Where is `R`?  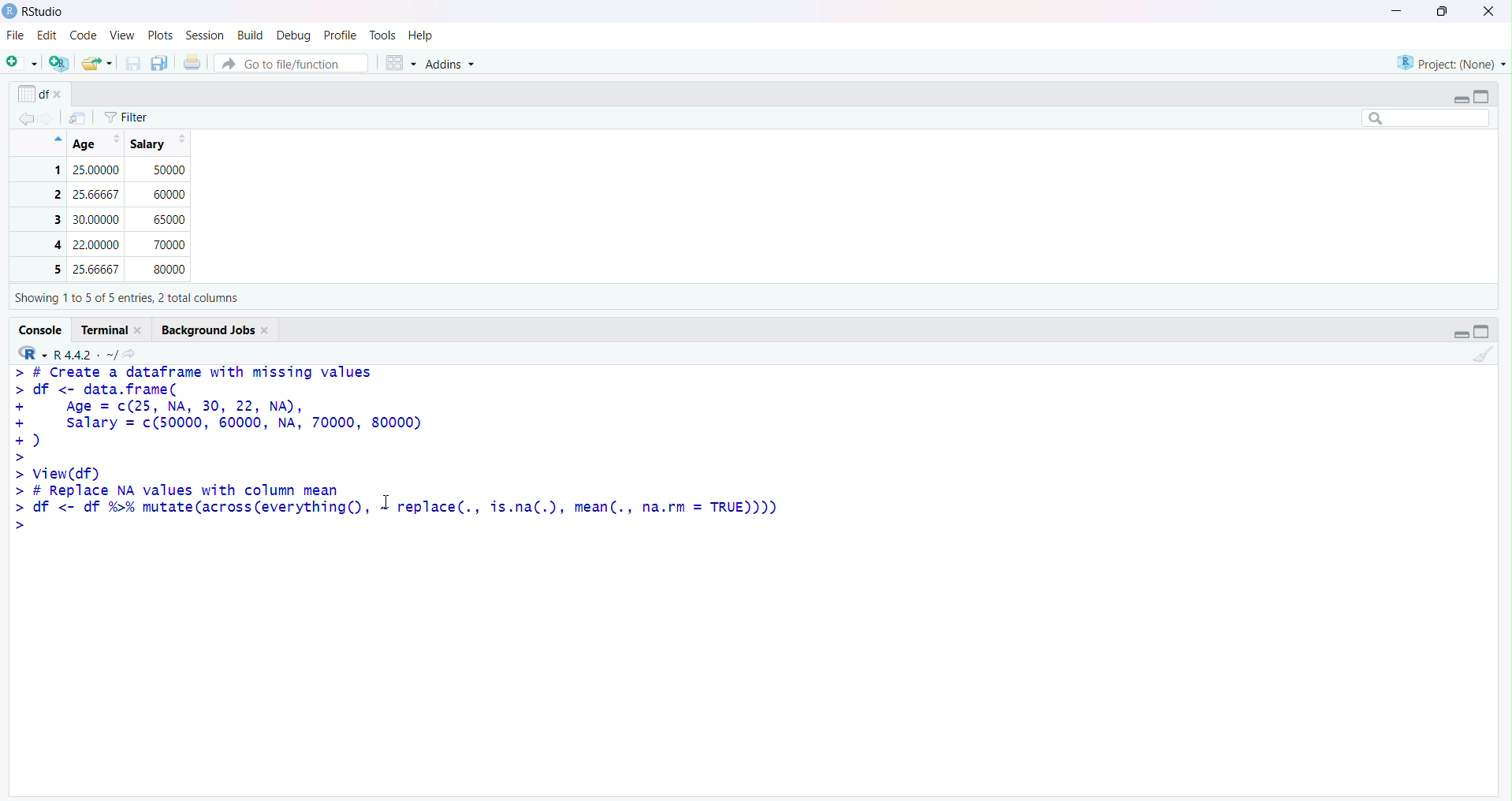 R is located at coordinates (29, 351).